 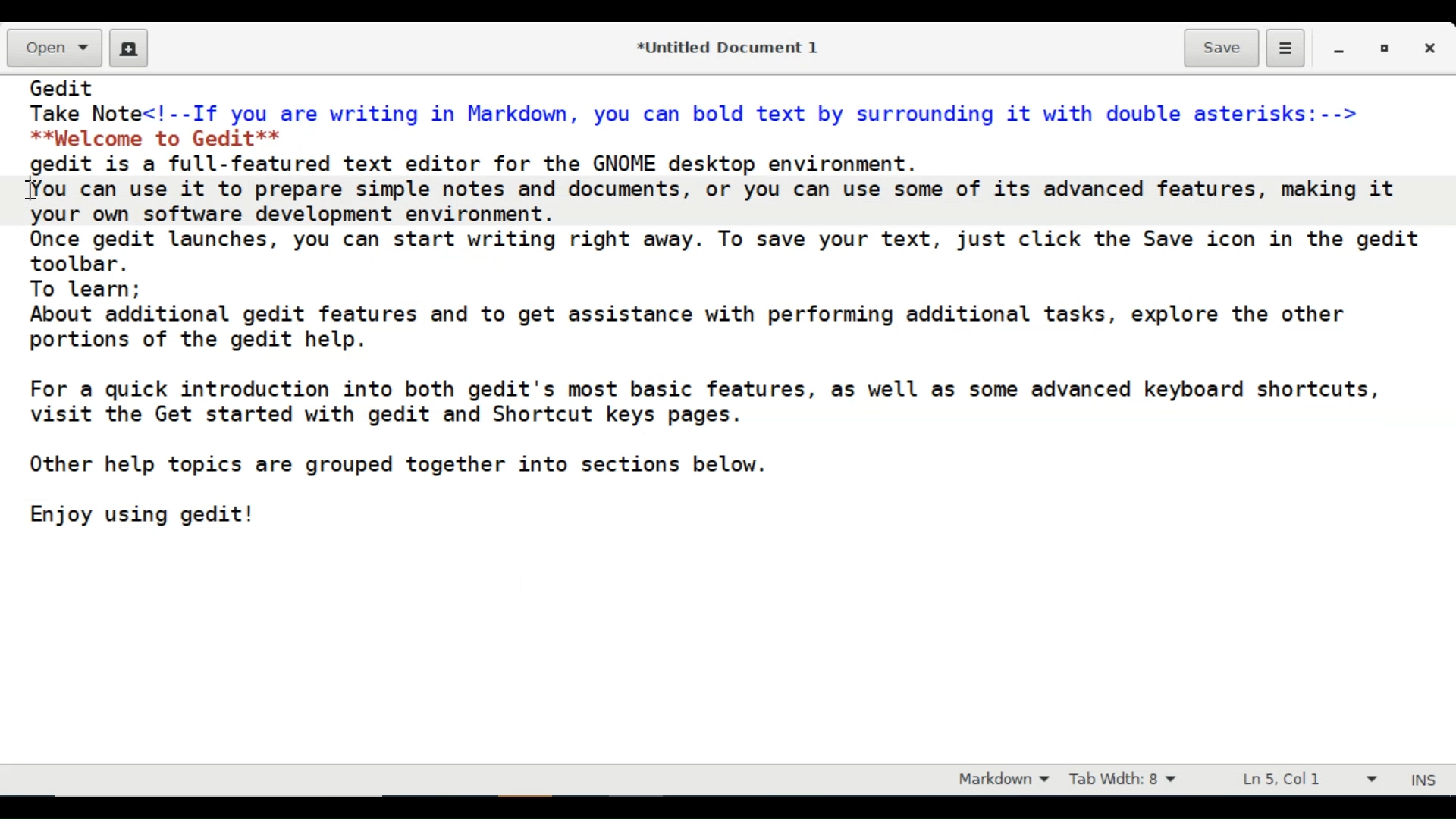 What do you see at coordinates (1432, 48) in the screenshot?
I see `Close` at bounding box center [1432, 48].